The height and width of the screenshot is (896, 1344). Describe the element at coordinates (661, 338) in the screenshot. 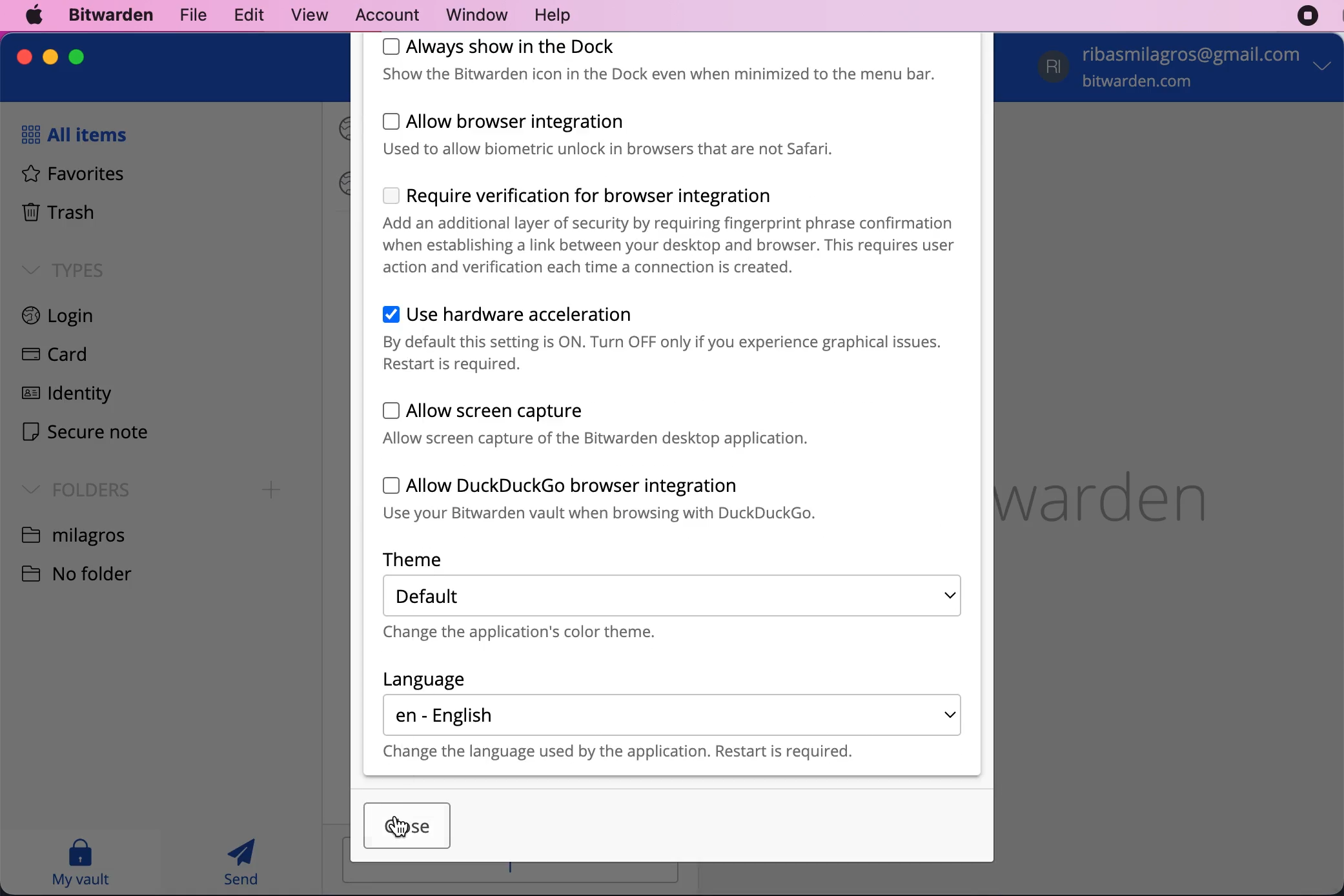

I see `use hardware acceleration` at that location.